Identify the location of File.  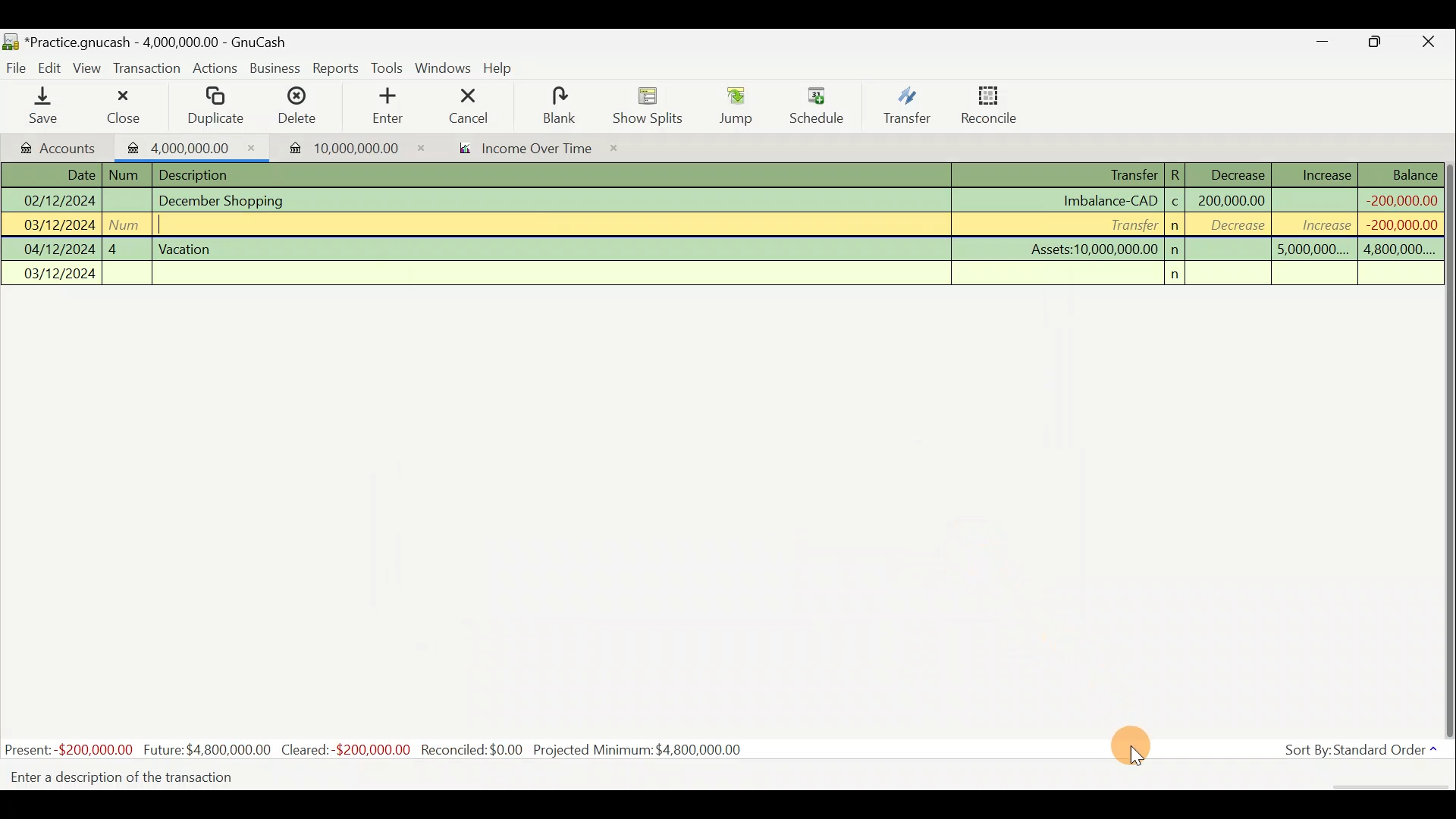
(17, 65).